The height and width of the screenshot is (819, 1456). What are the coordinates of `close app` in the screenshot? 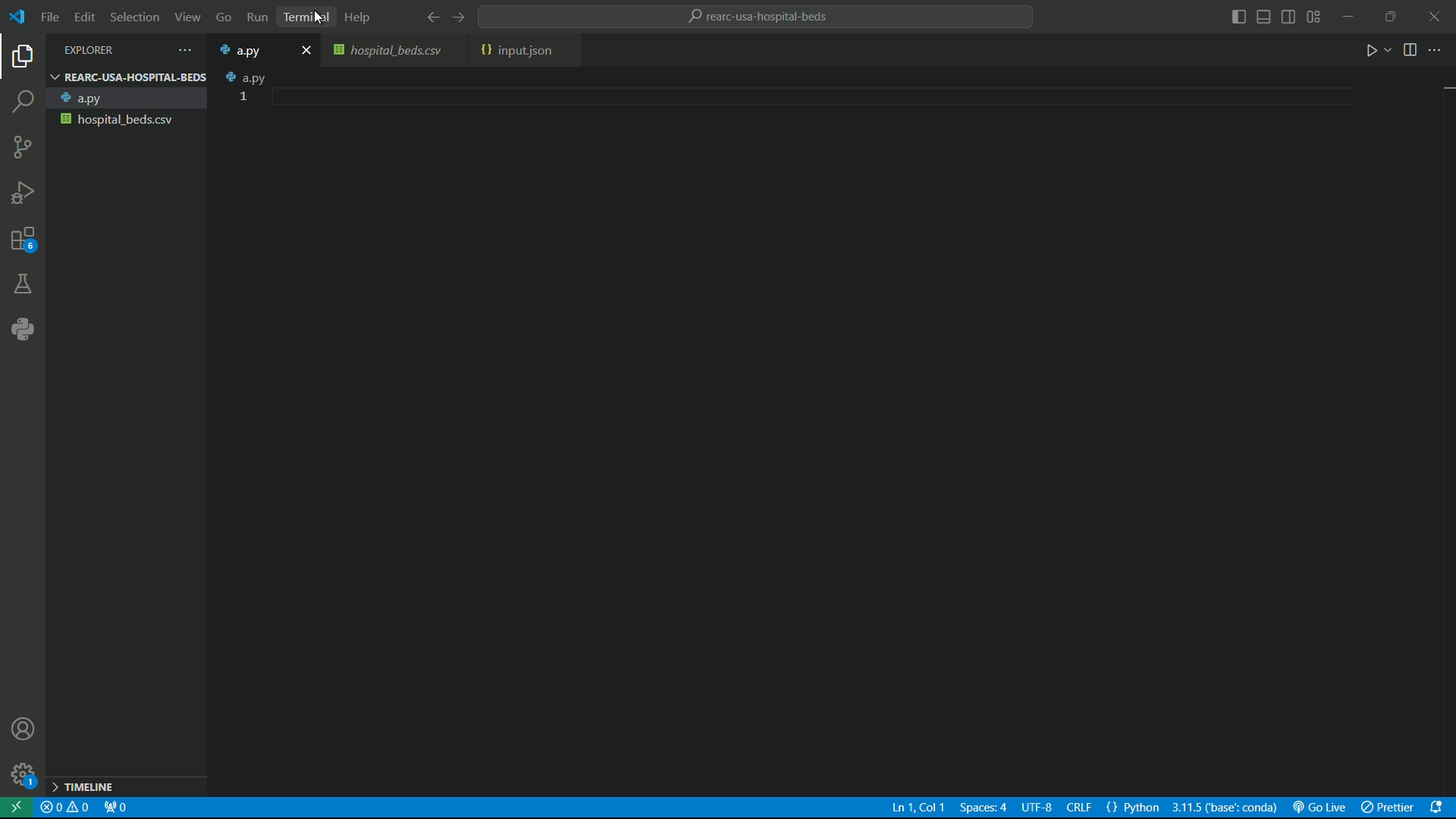 It's located at (1435, 17).